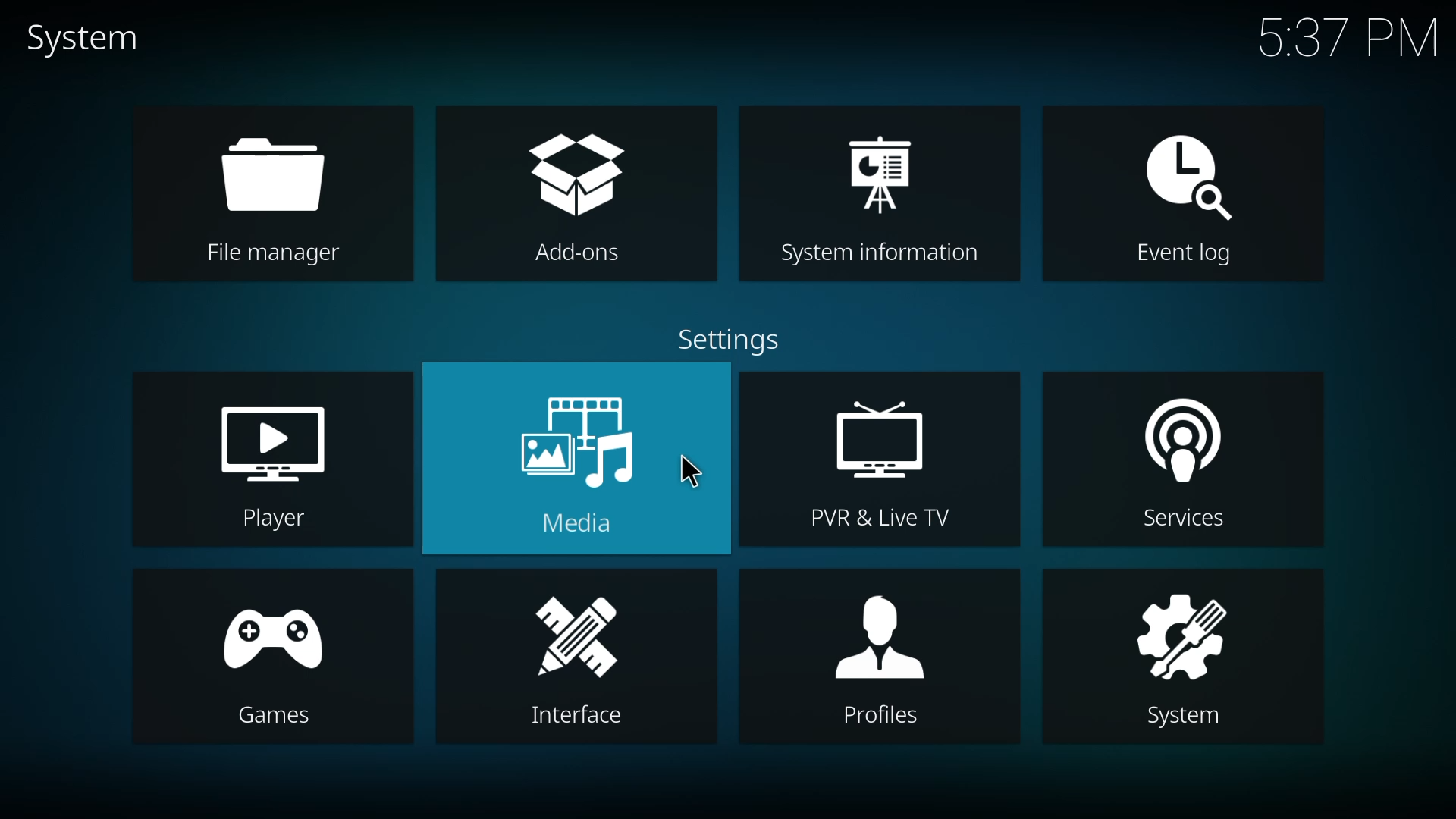 Image resolution: width=1456 pixels, height=819 pixels. Describe the element at coordinates (283, 719) in the screenshot. I see `[CEINIES` at that location.